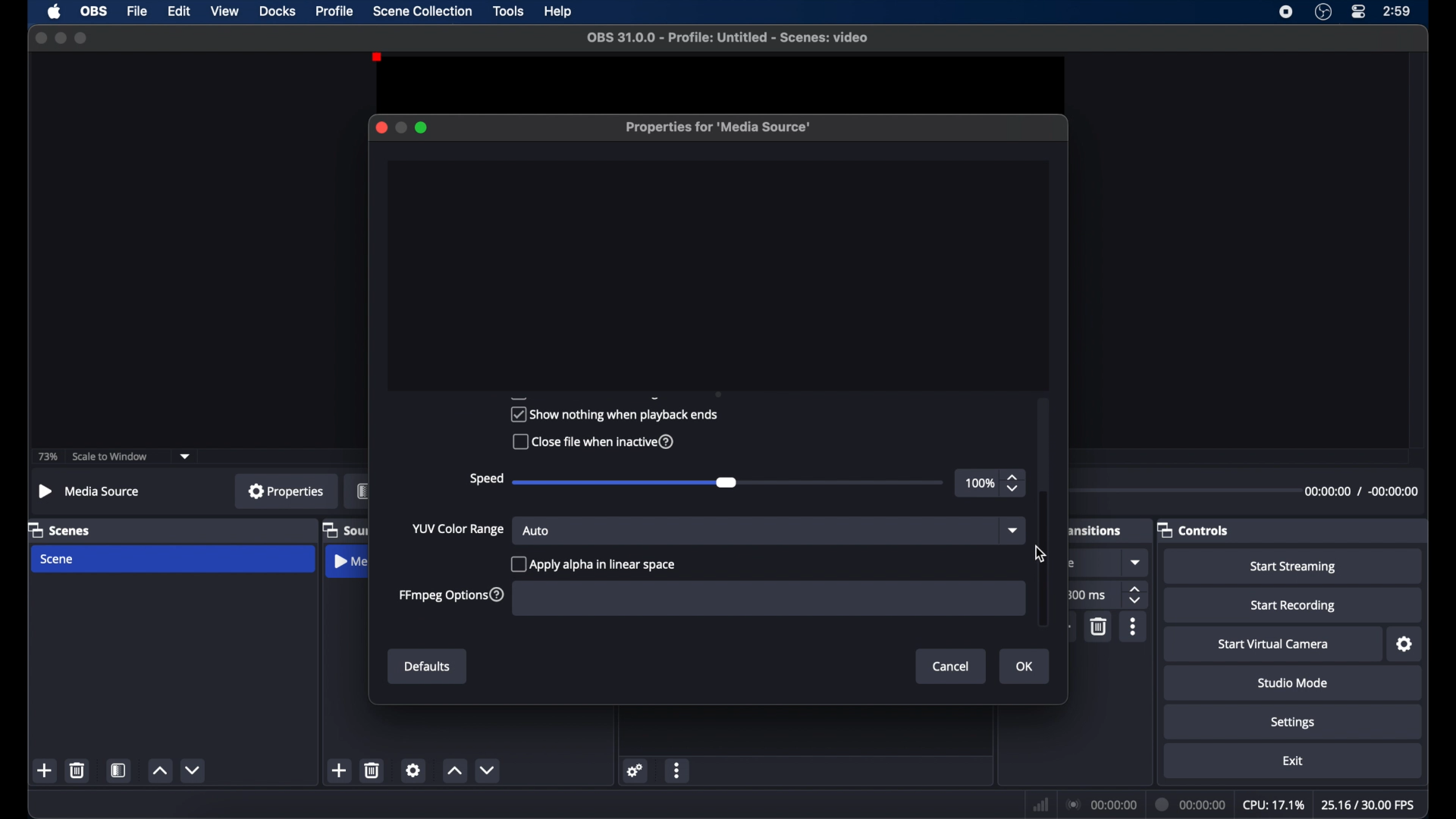  Describe the element at coordinates (593, 564) in the screenshot. I see `apply alpha in linear space` at that location.